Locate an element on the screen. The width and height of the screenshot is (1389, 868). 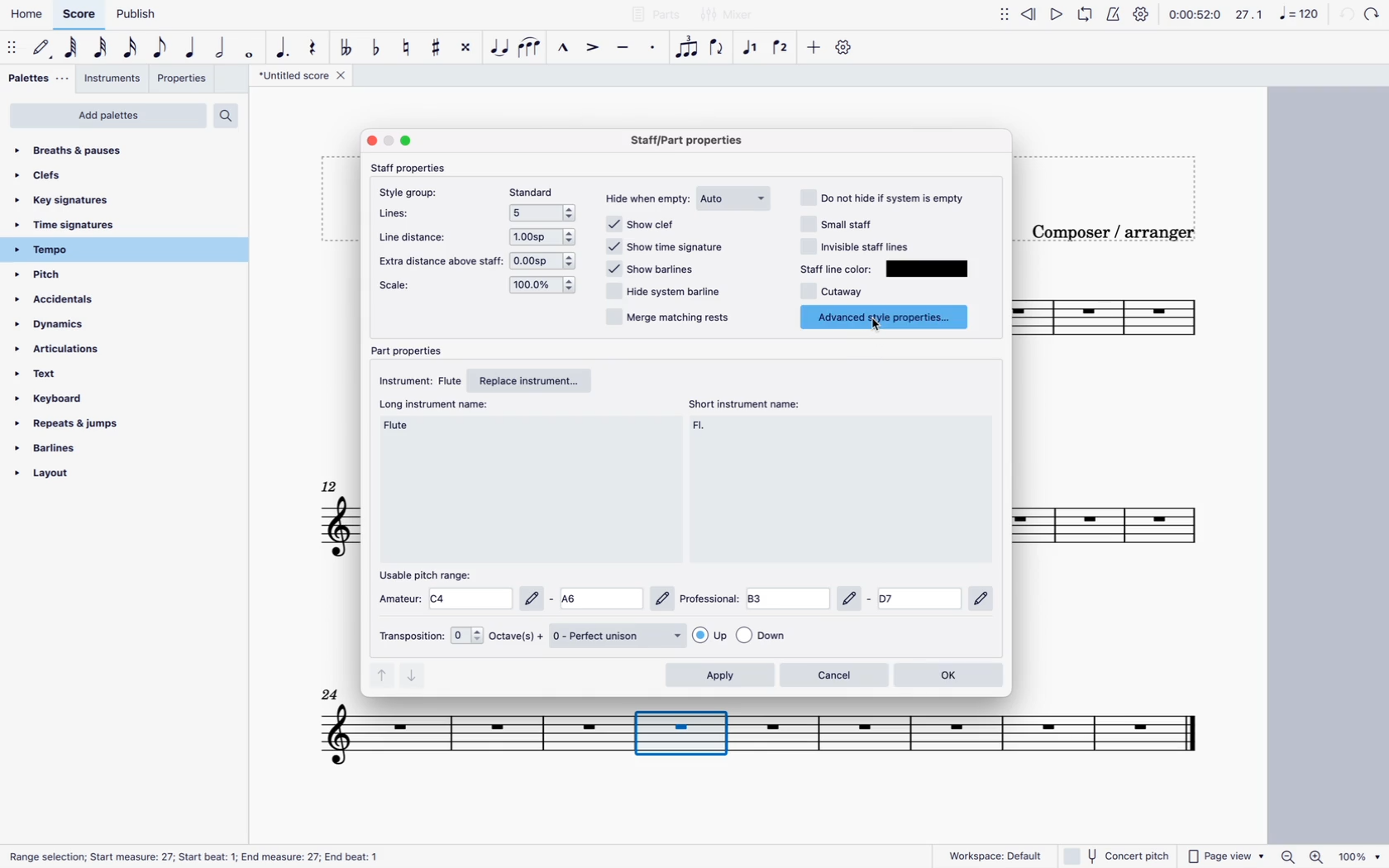
barlines is located at coordinates (103, 448).